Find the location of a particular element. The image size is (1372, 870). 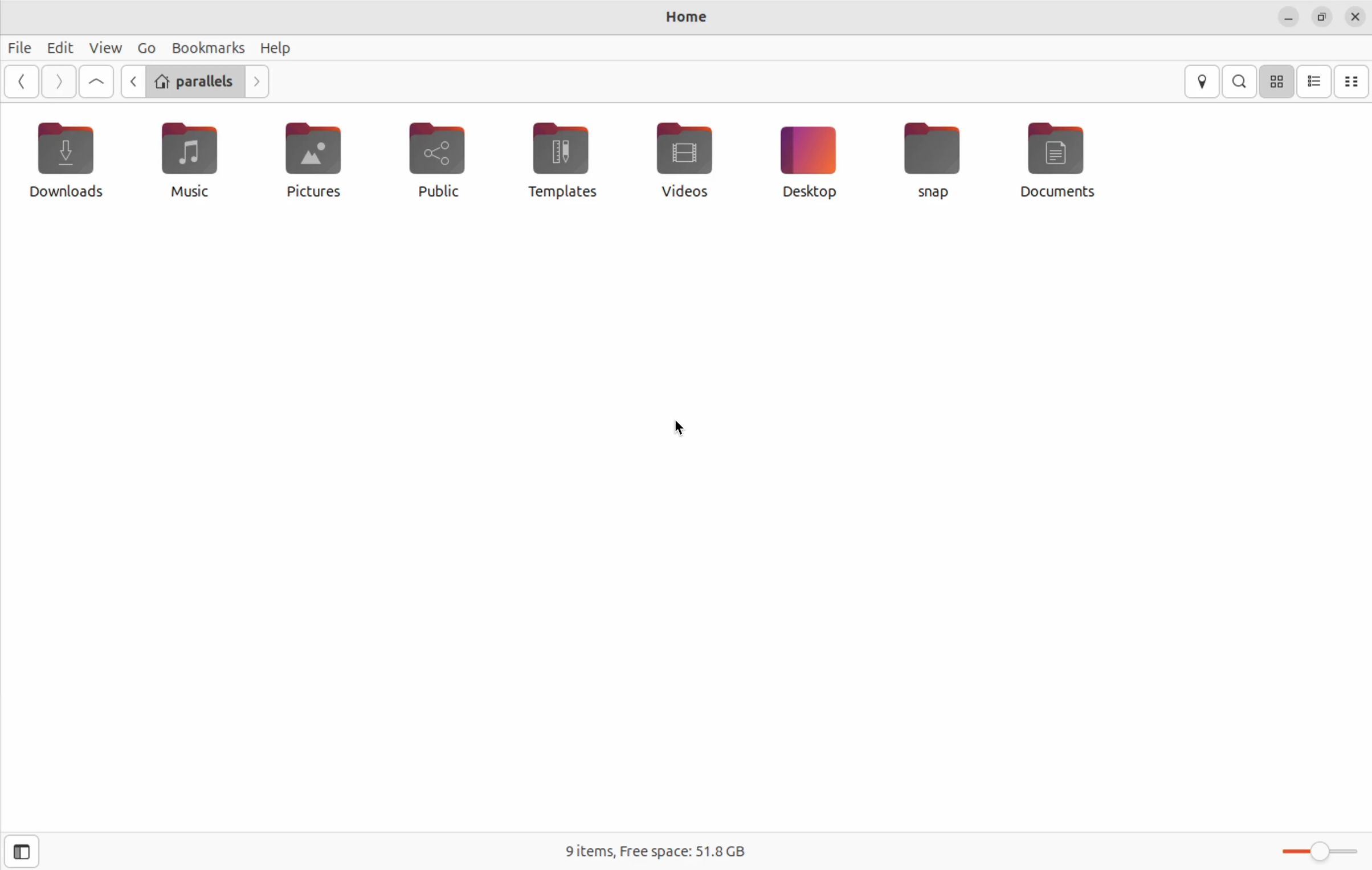

Pictures is located at coordinates (312, 159).